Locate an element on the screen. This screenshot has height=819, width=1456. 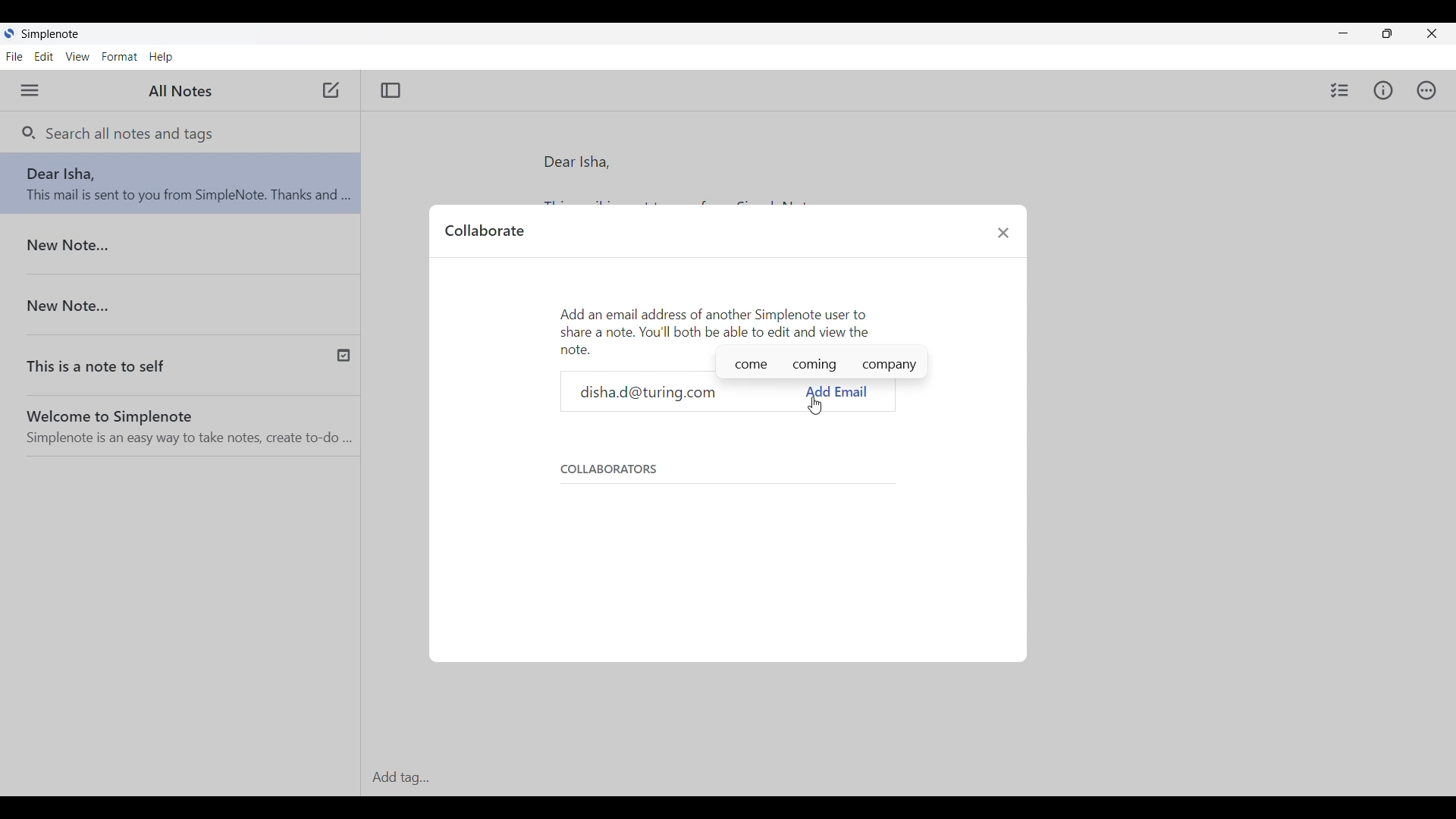
Close is located at coordinates (1004, 232).